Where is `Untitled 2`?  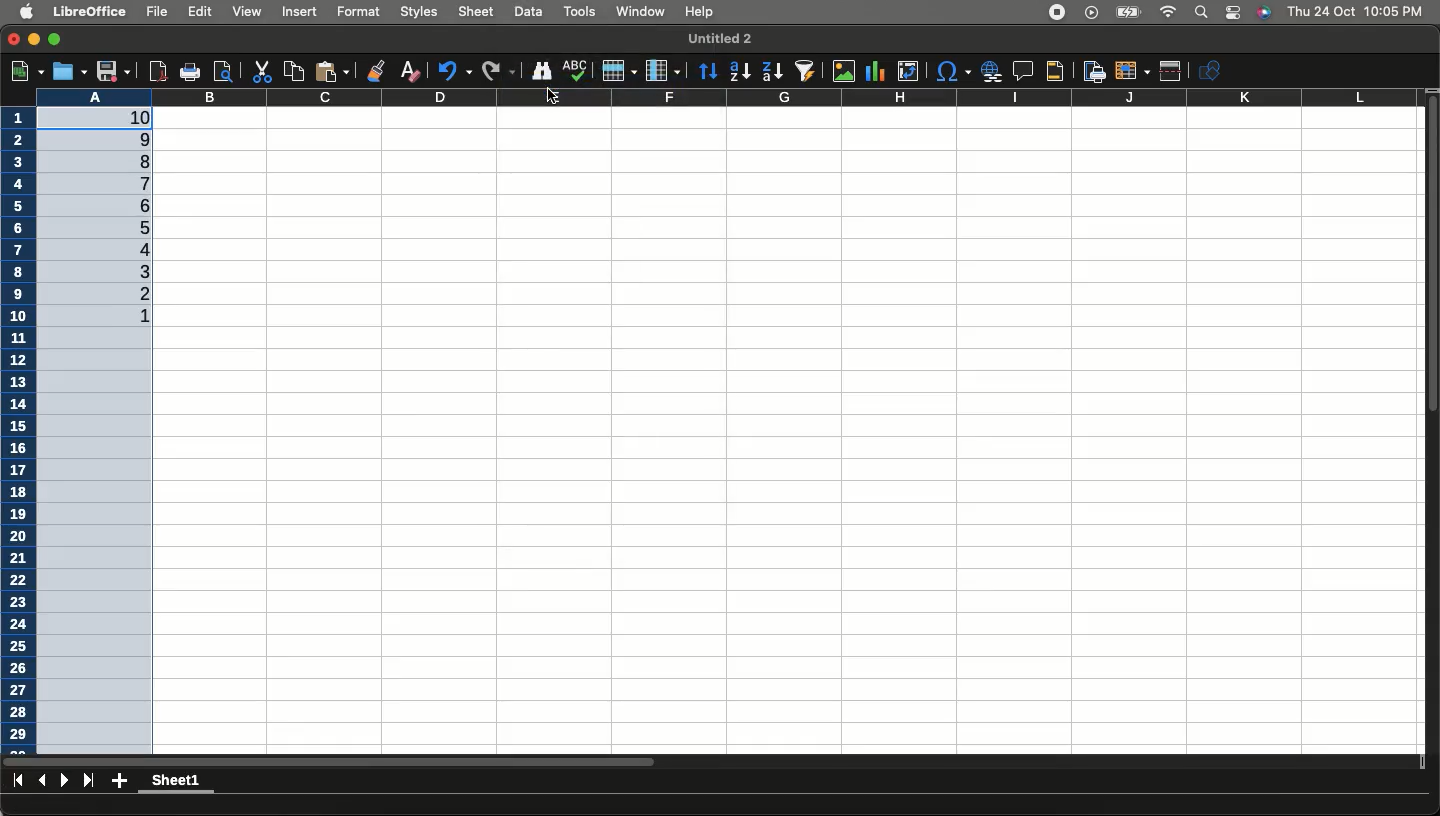 Untitled 2 is located at coordinates (722, 38).